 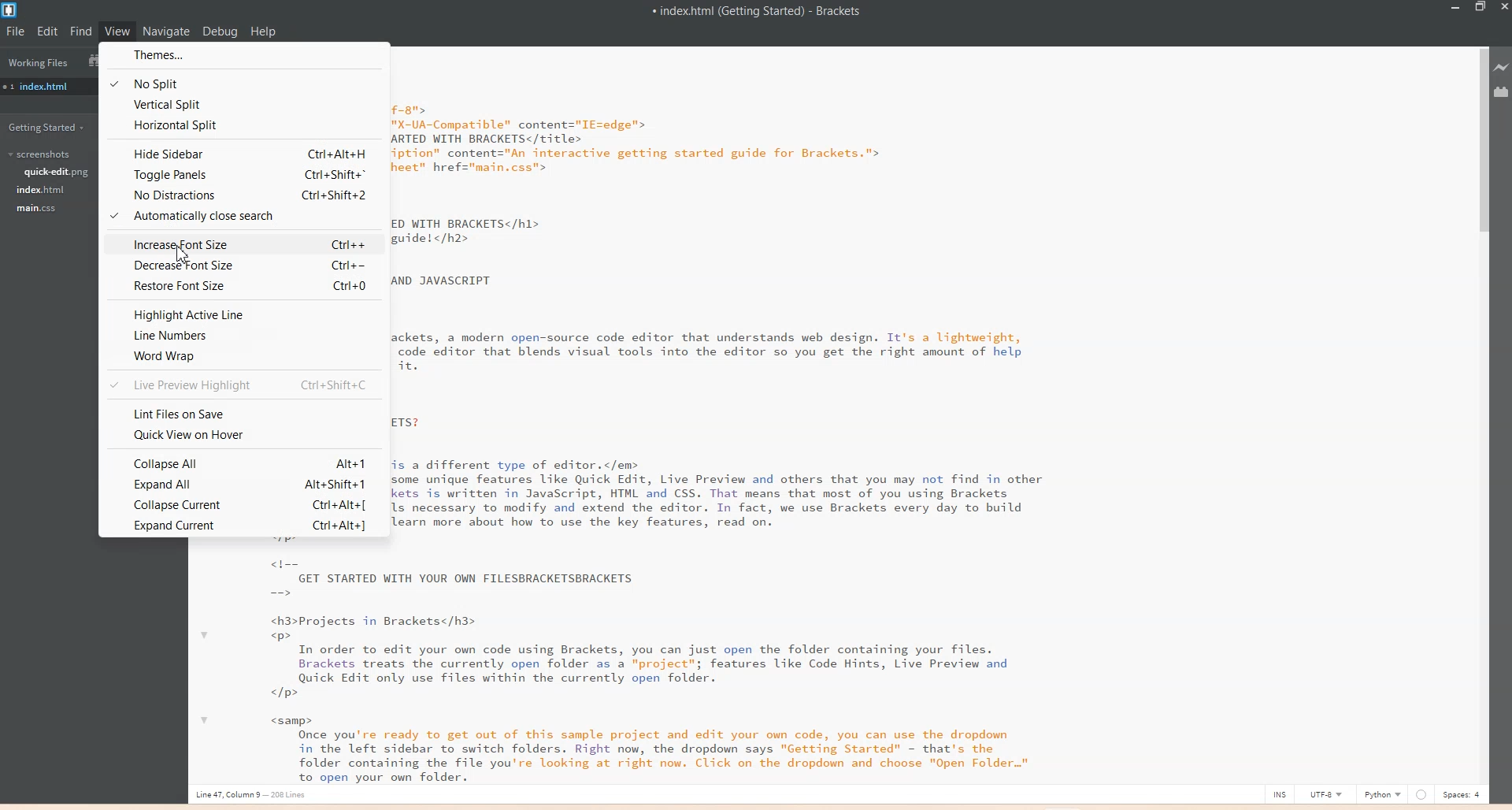 What do you see at coordinates (244, 104) in the screenshot?
I see `Vertical Split` at bounding box center [244, 104].